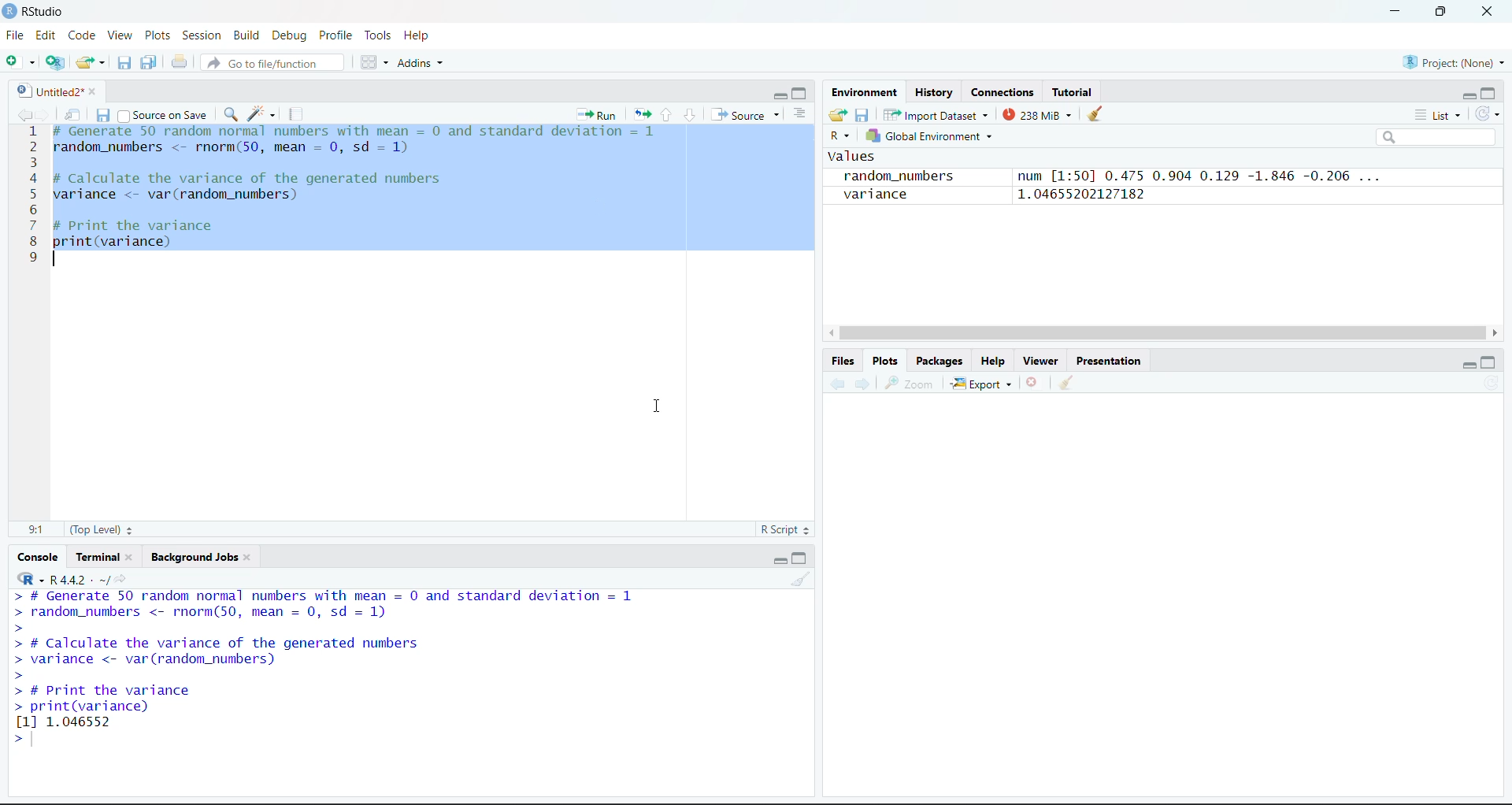  Describe the element at coordinates (1496, 334) in the screenshot. I see `scroll right` at that location.